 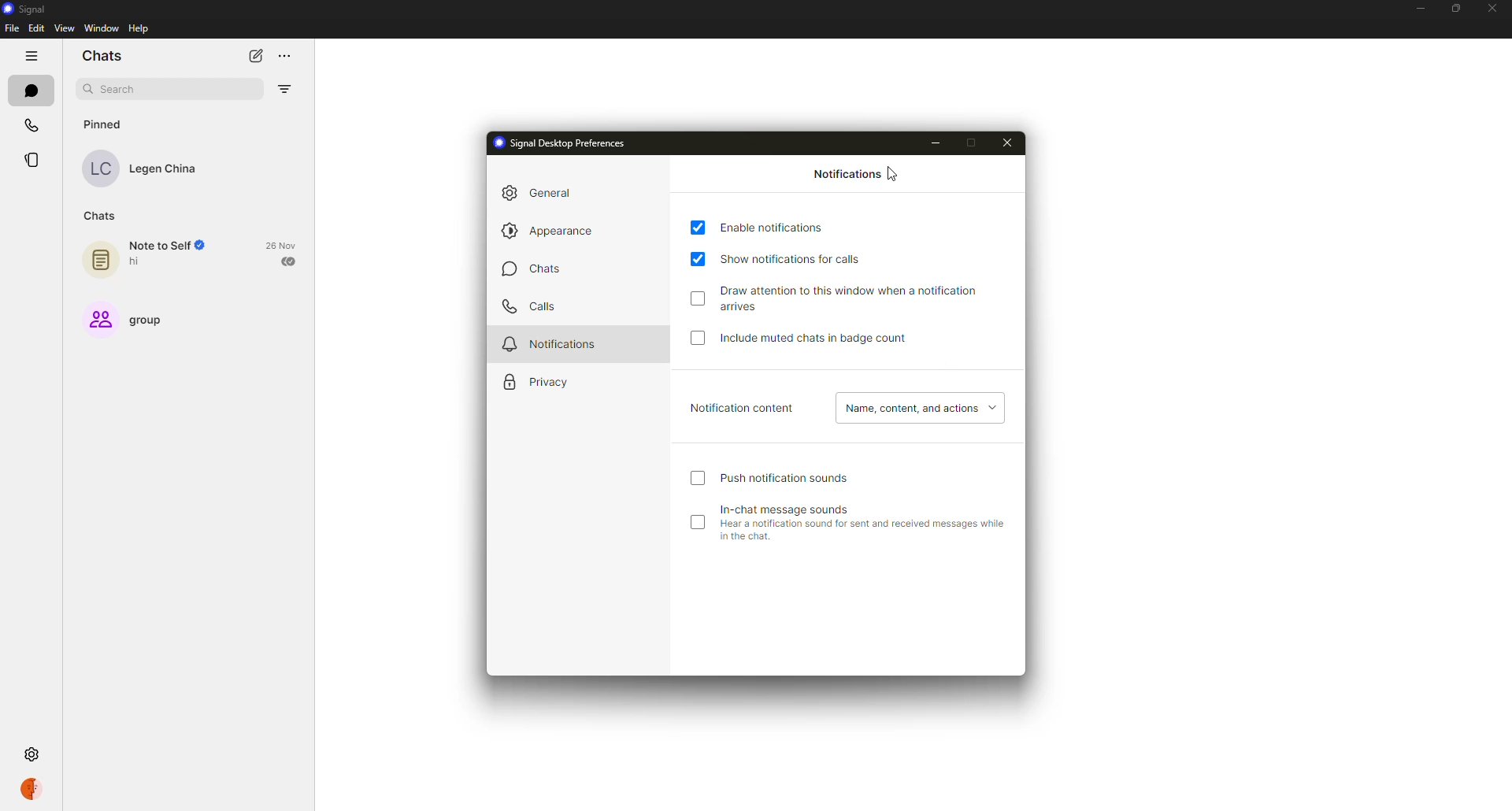 I want to click on general, so click(x=548, y=192).